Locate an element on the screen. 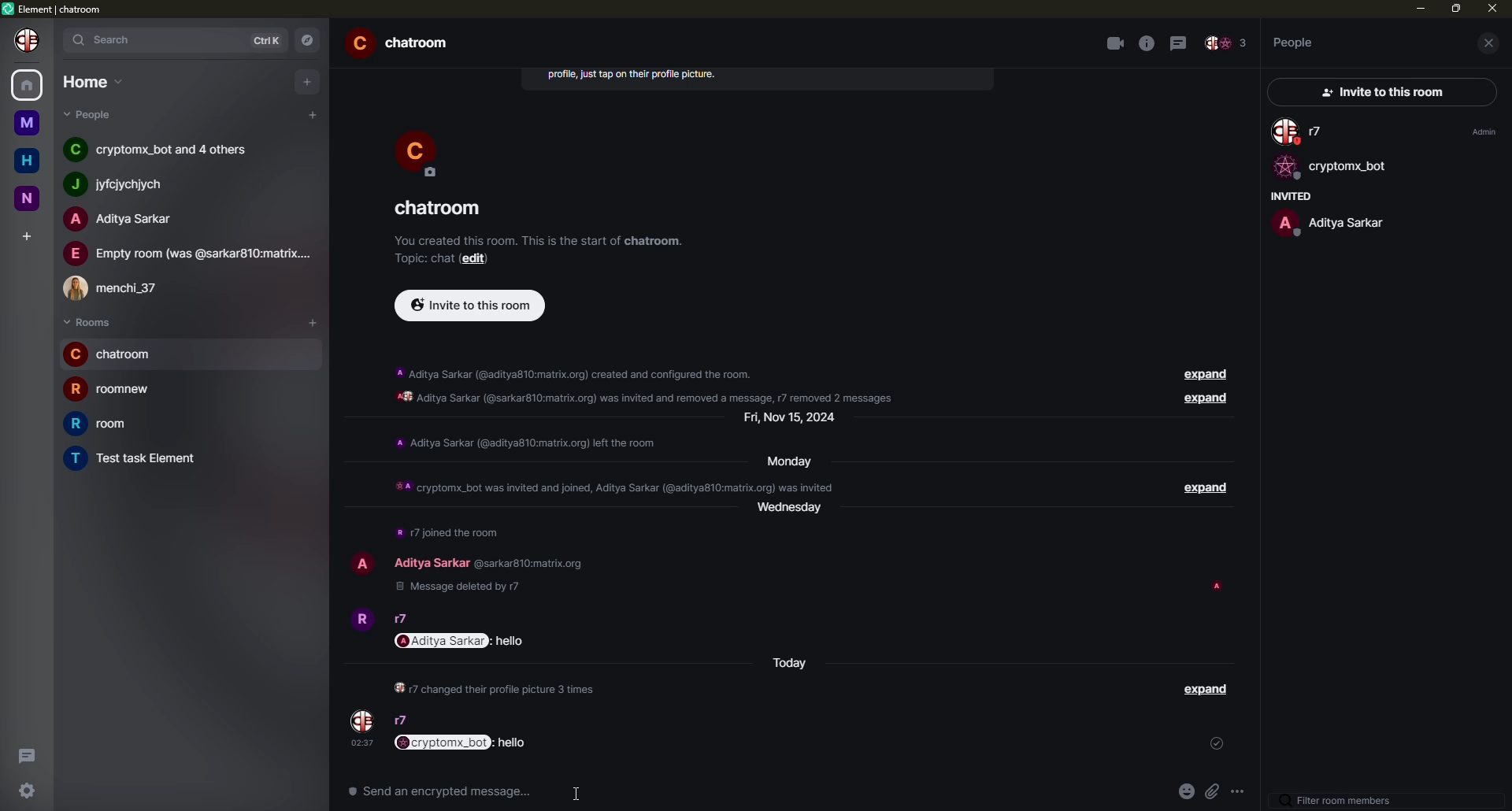 The image size is (1512, 811). info is located at coordinates (449, 532).